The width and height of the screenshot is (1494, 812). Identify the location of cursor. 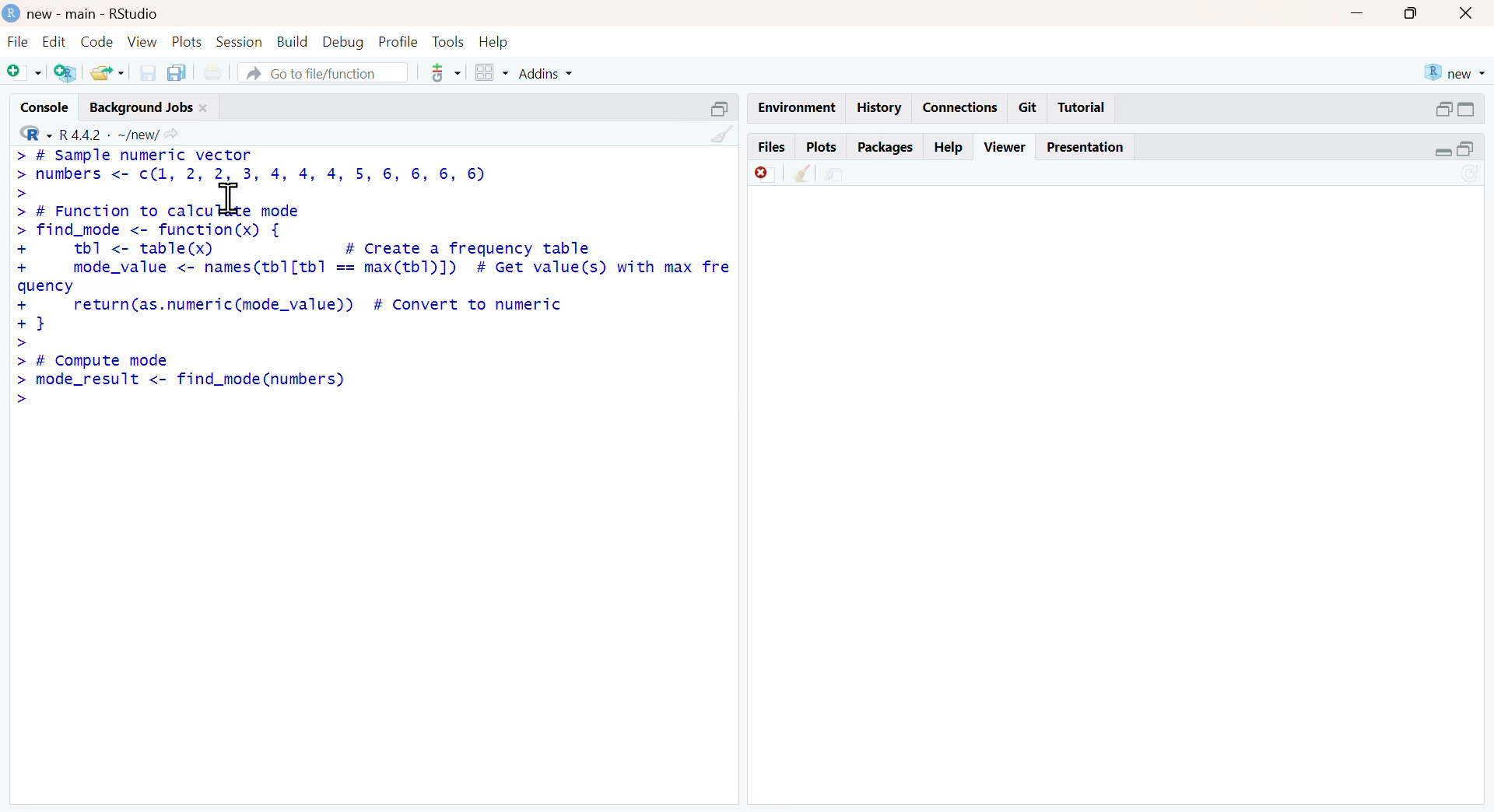
(228, 198).